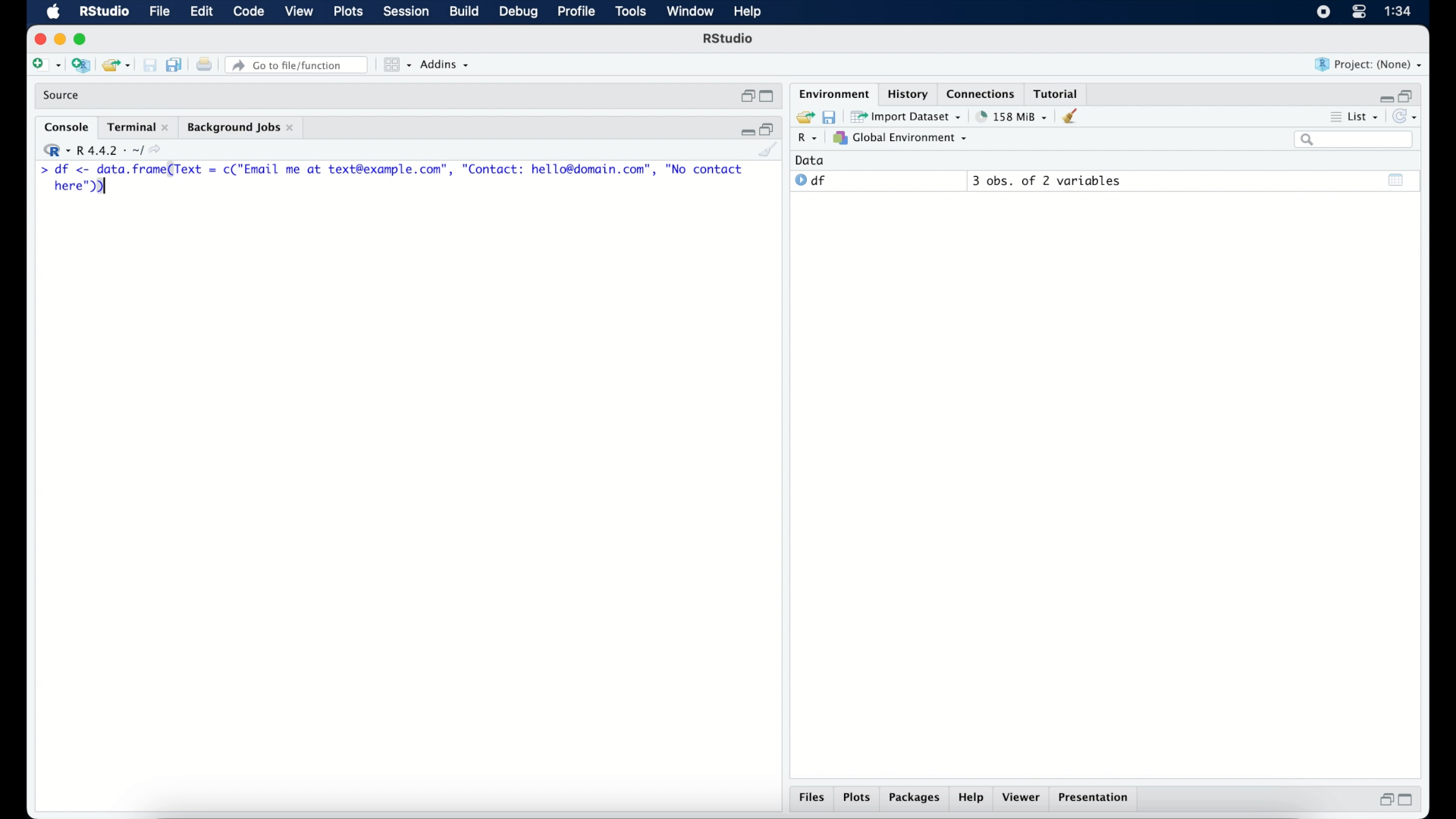  What do you see at coordinates (1073, 117) in the screenshot?
I see `clear console` at bounding box center [1073, 117].